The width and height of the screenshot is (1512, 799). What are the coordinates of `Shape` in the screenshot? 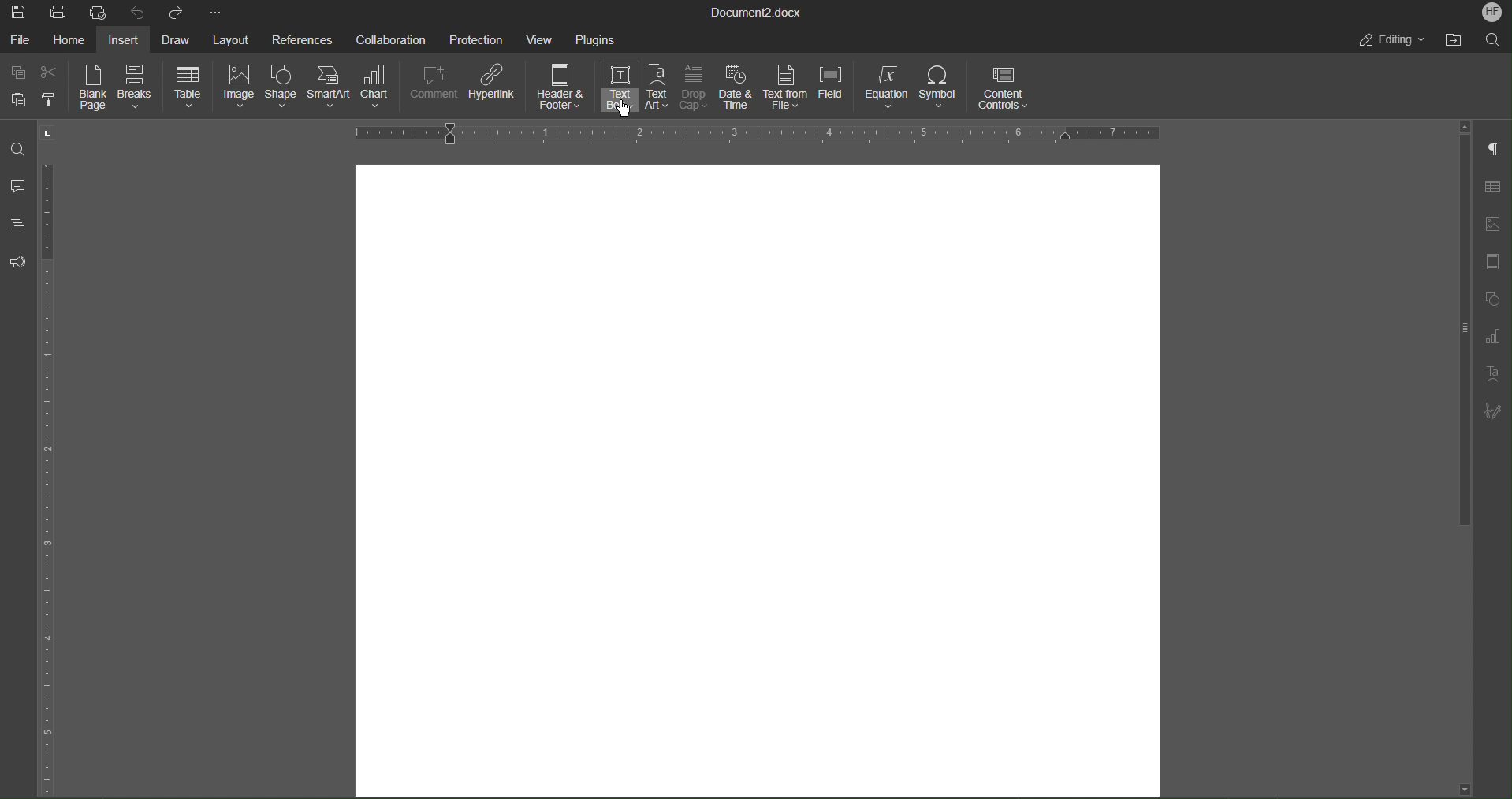 It's located at (283, 90).